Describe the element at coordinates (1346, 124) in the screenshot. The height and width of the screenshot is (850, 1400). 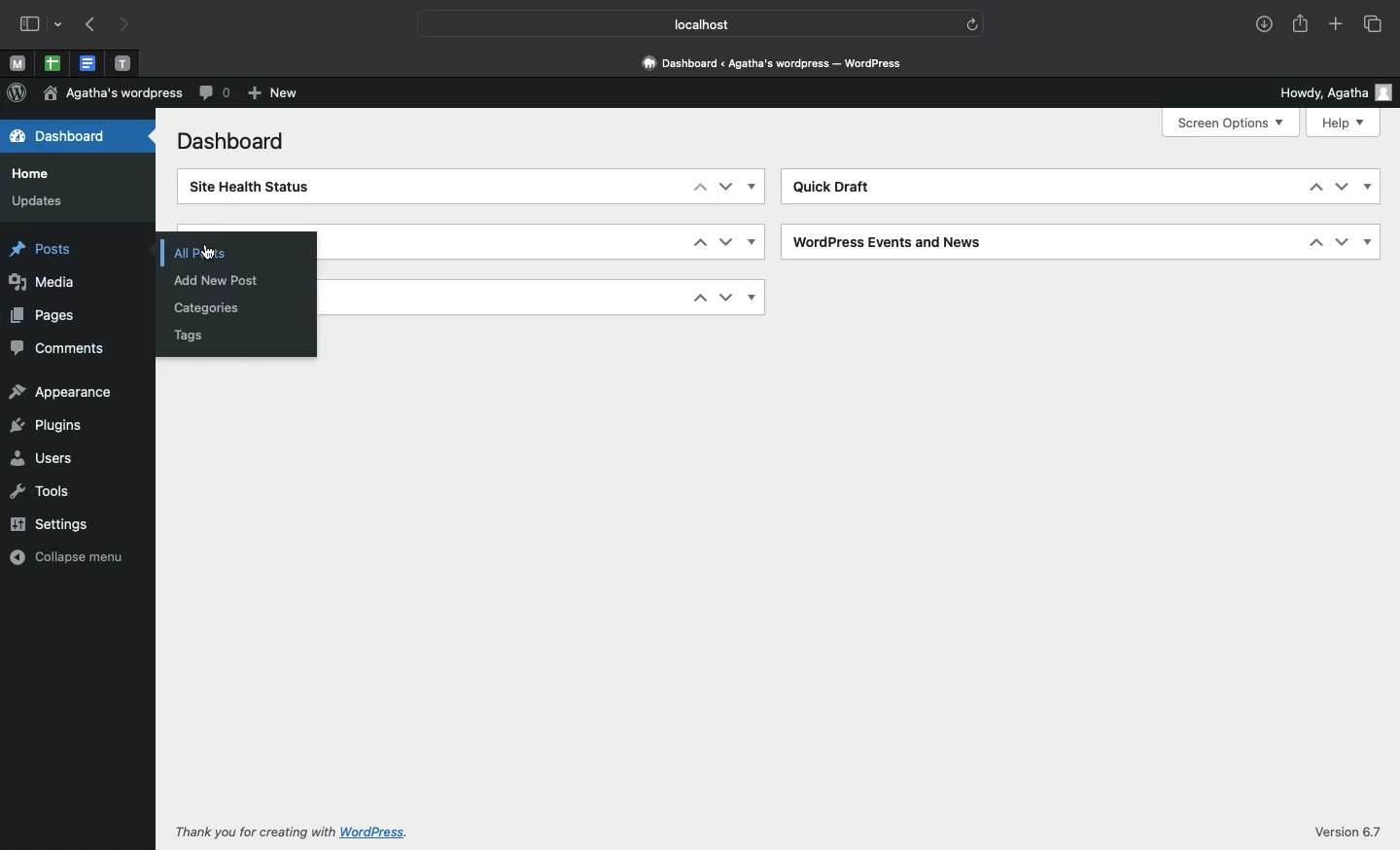
I see `Help` at that location.